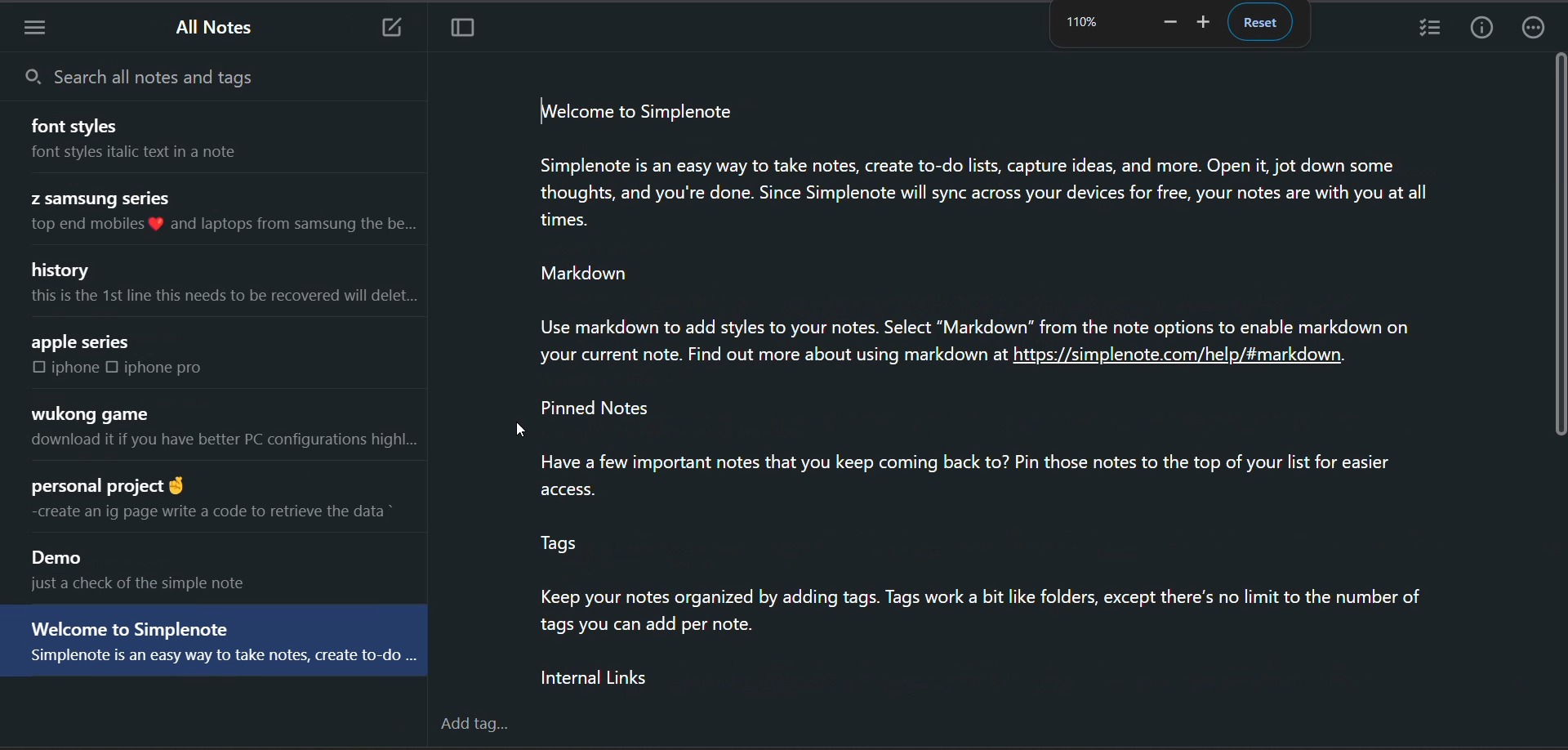  Describe the element at coordinates (106, 198) in the screenshot. I see `Z samsung series` at that location.